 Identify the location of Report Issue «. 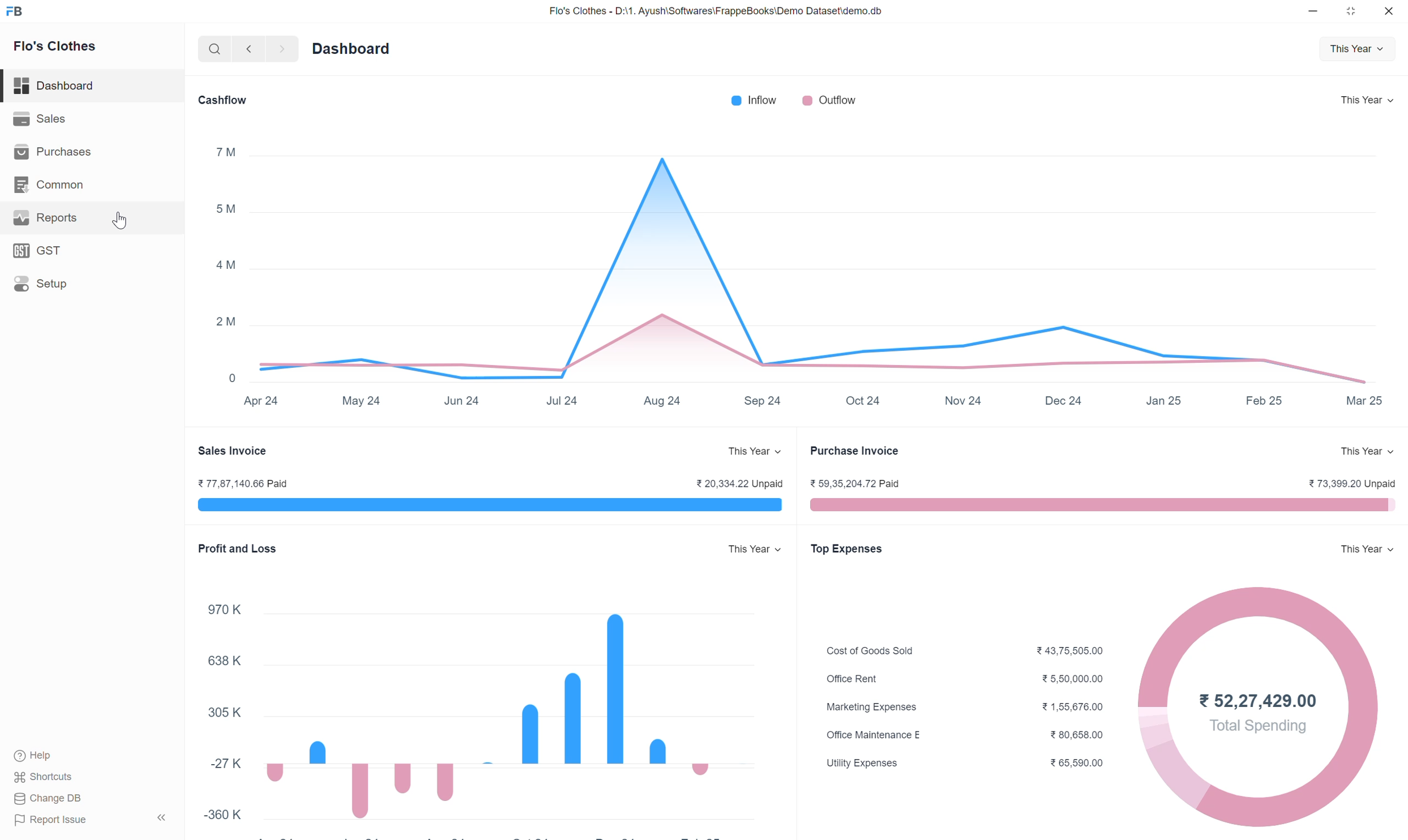
(93, 820).